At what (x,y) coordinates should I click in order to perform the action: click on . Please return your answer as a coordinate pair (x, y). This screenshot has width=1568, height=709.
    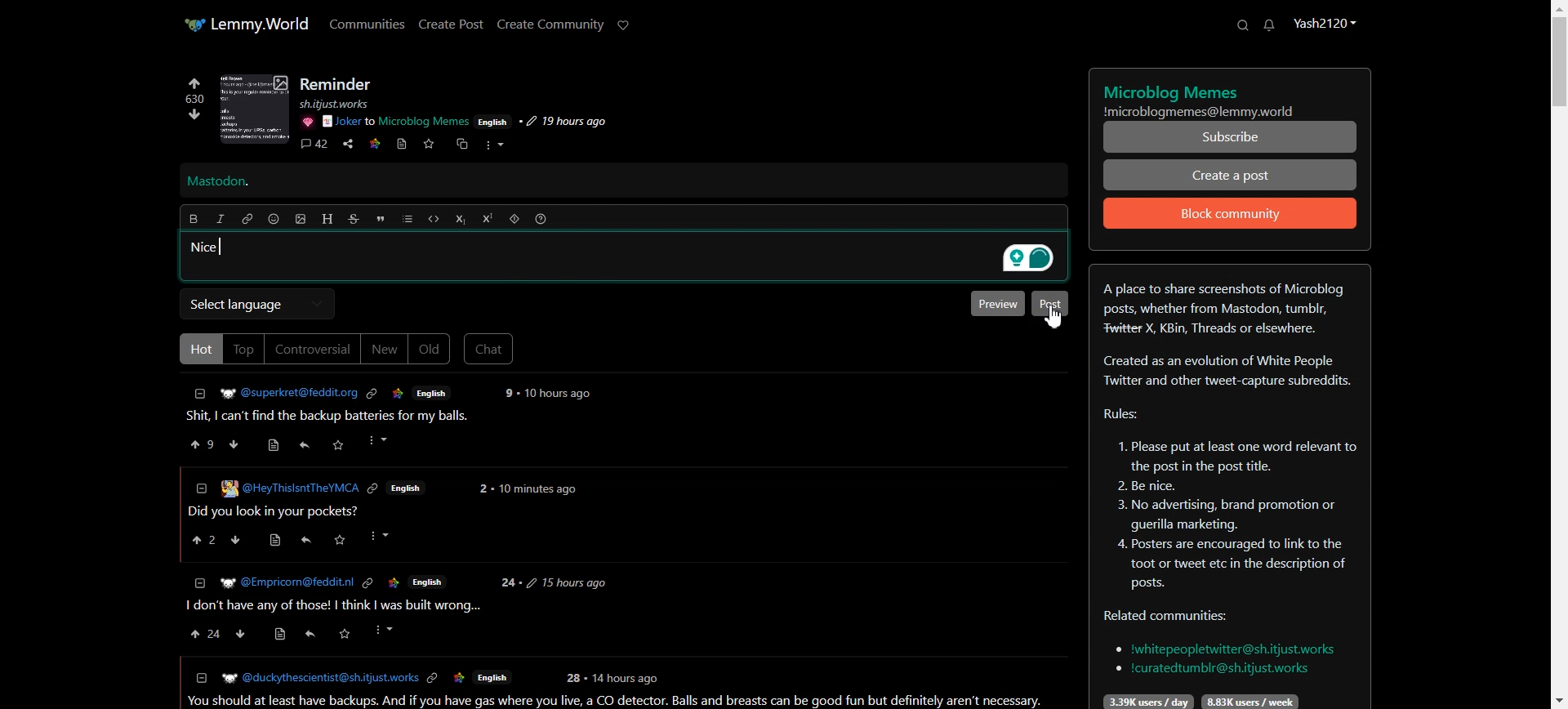
    Looking at the image, I should click on (341, 541).